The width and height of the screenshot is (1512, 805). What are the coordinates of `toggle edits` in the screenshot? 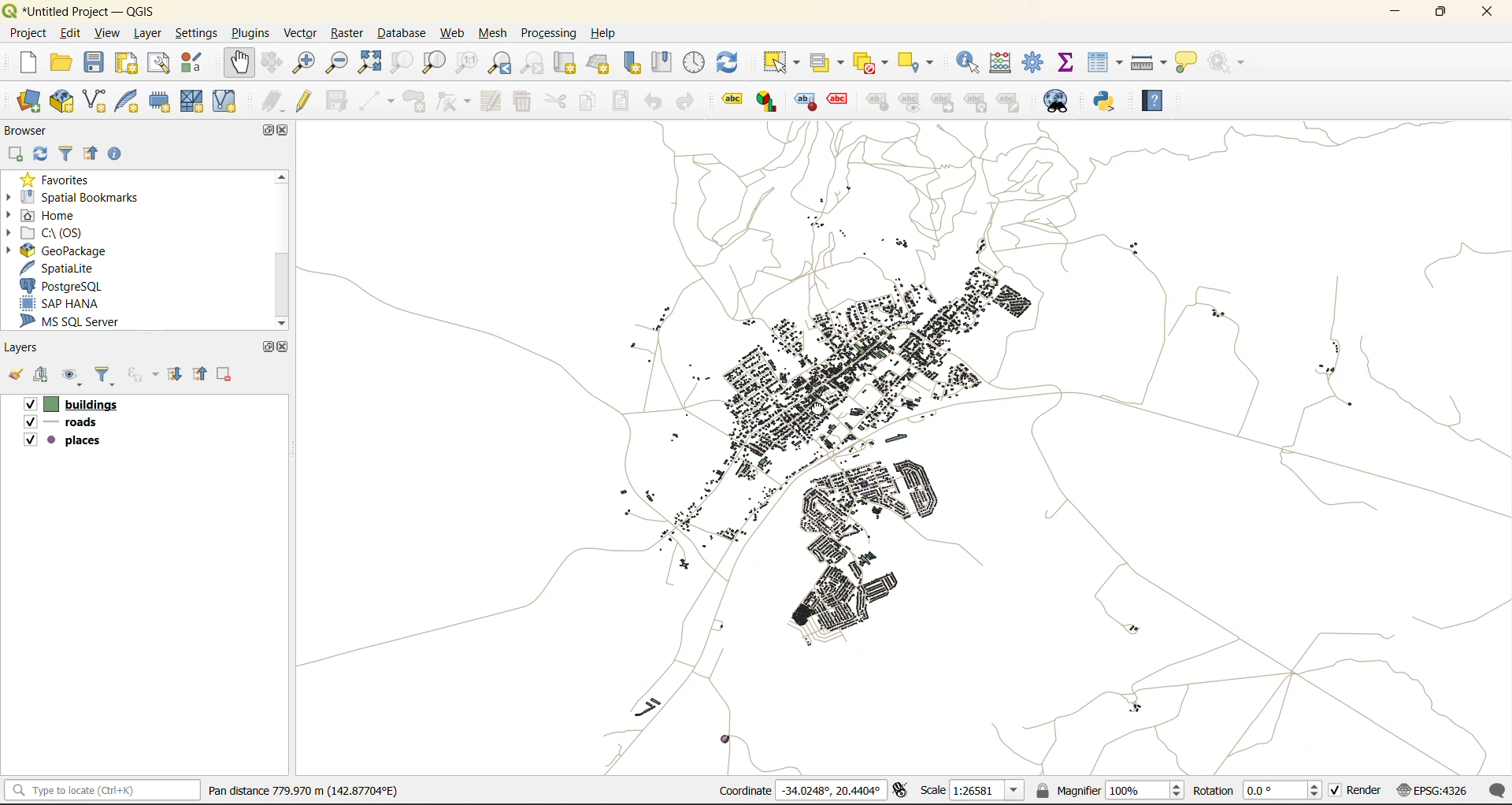 It's located at (303, 99).